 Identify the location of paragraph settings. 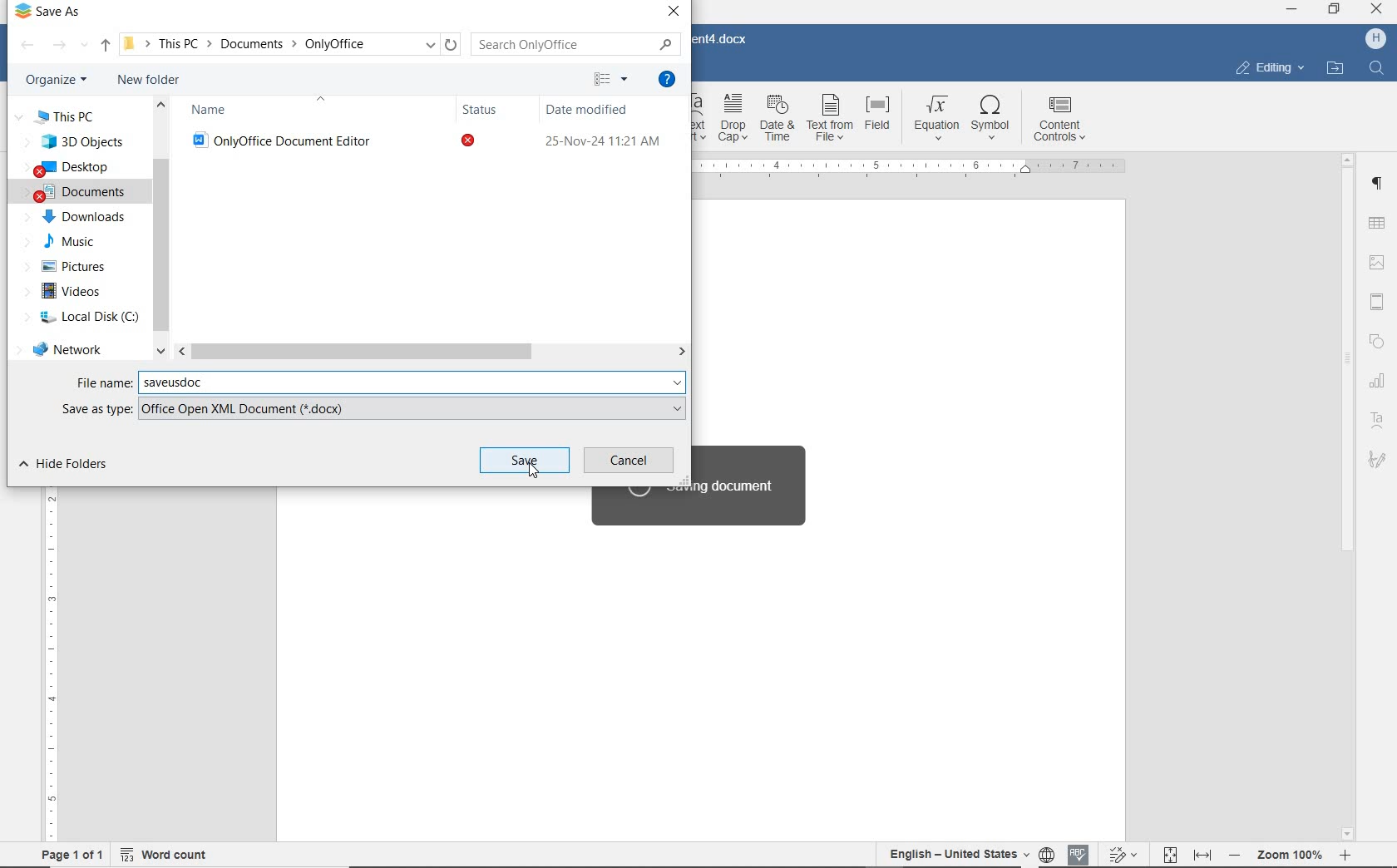
(1379, 184).